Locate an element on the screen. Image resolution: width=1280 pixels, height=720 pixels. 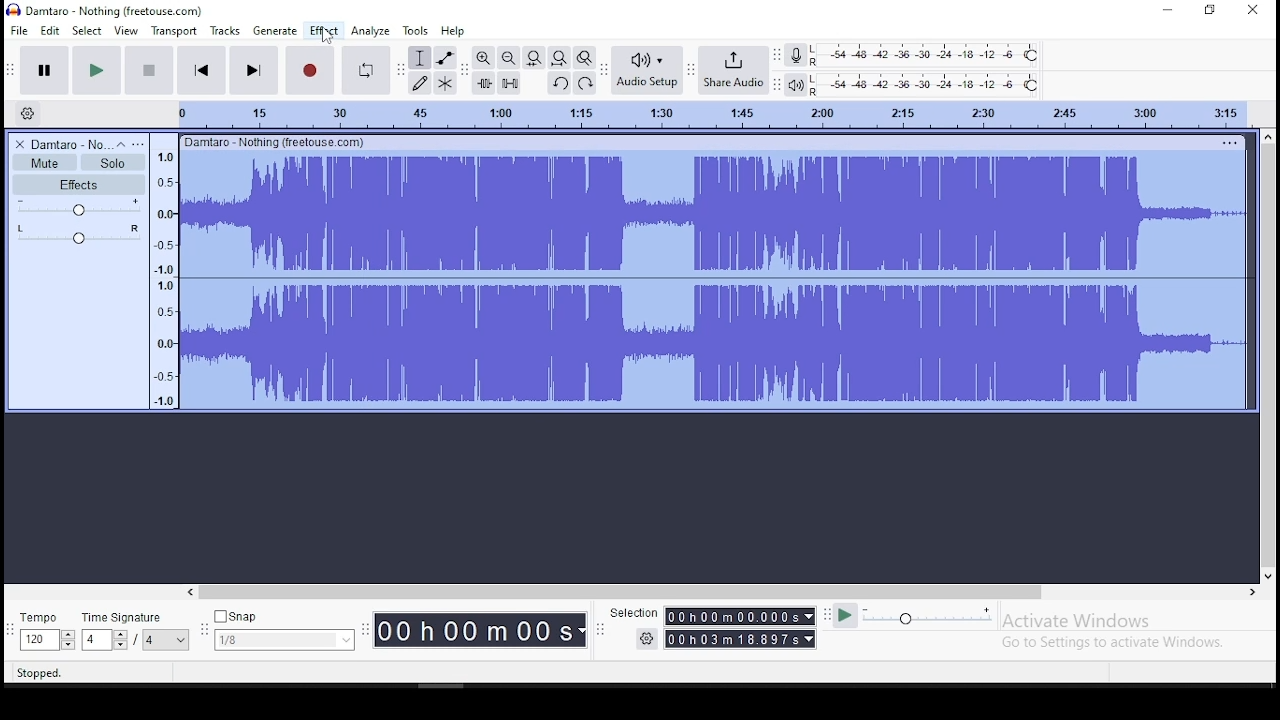
Go to Settings to activate Windows. is located at coordinates (1114, 644).